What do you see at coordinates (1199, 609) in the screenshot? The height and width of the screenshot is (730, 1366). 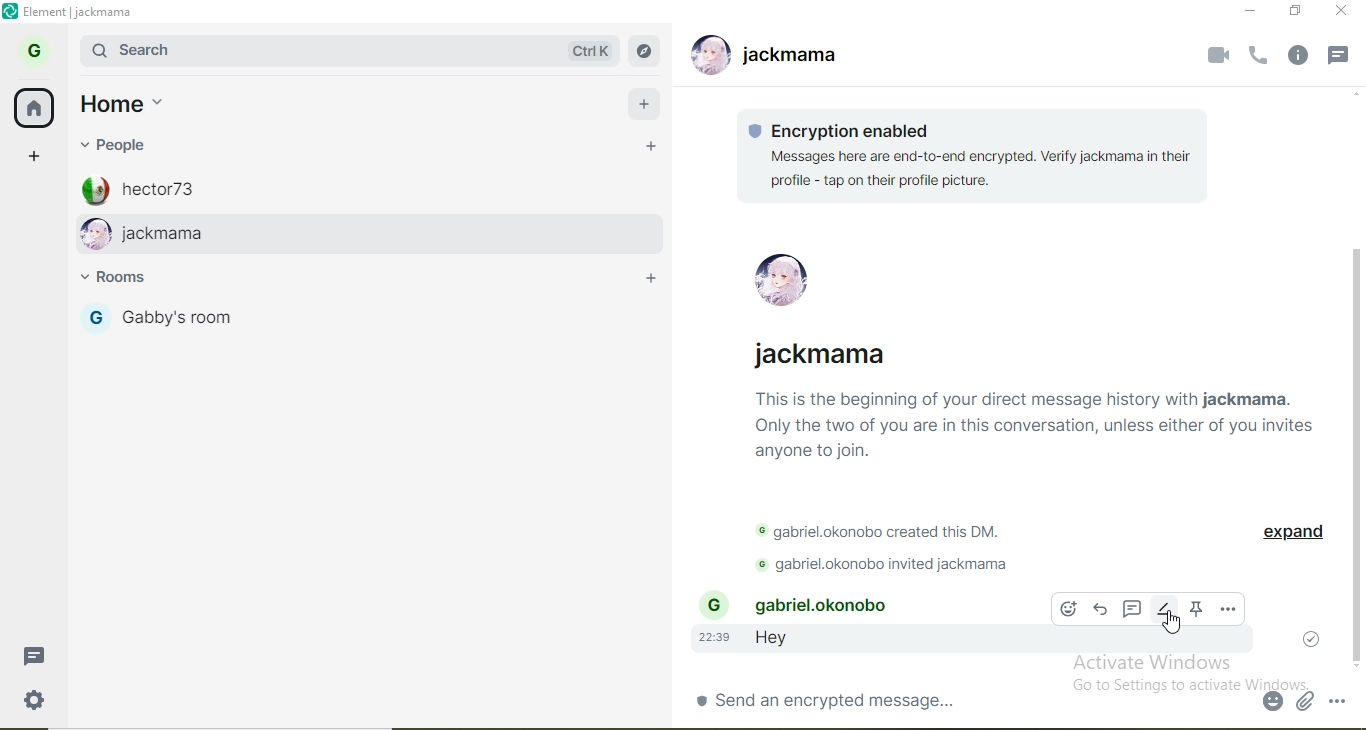 I see `pin` at bounding box center [1199, 609].